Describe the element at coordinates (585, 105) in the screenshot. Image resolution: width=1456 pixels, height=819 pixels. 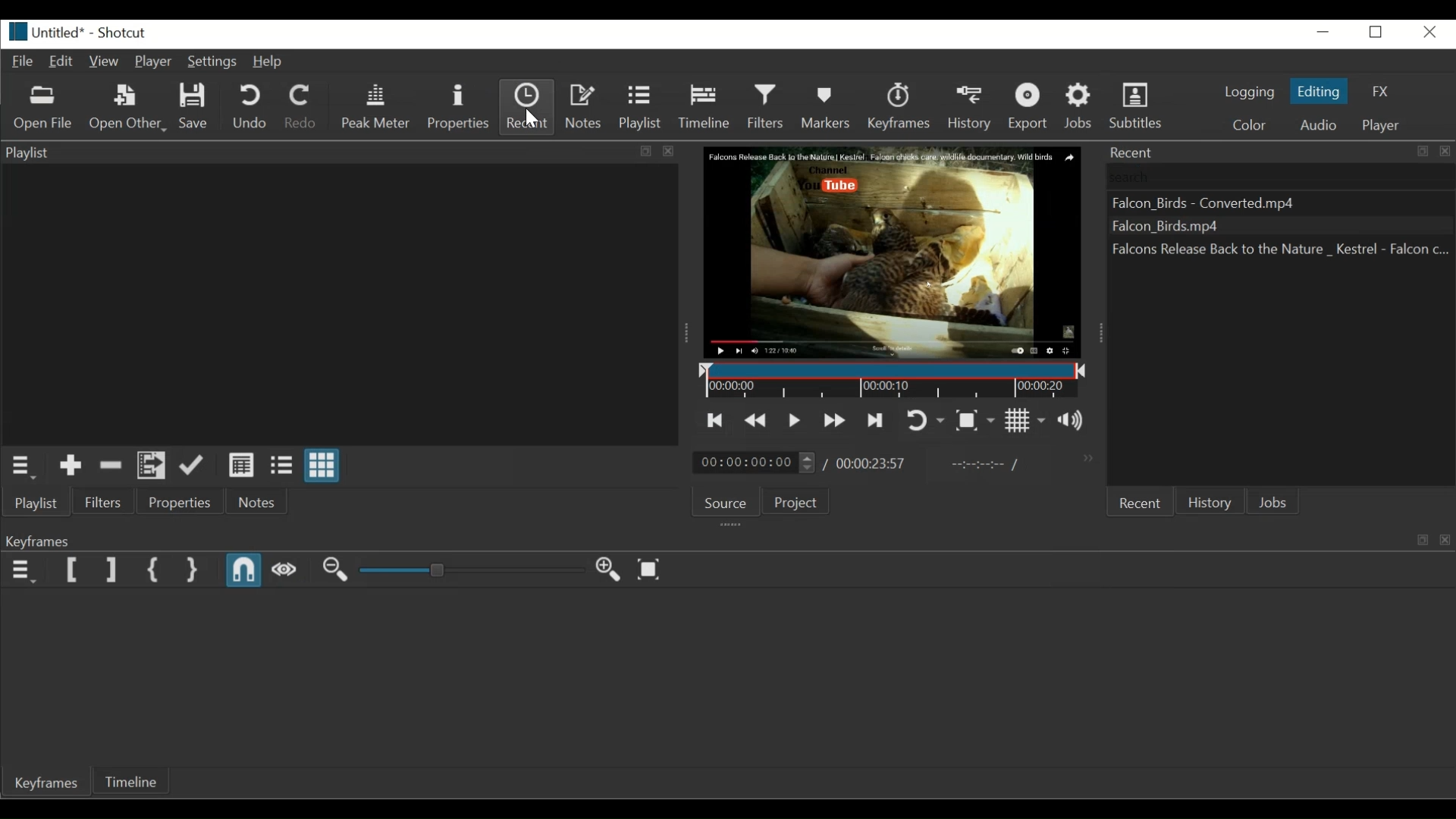
I see `Notes` at that location.